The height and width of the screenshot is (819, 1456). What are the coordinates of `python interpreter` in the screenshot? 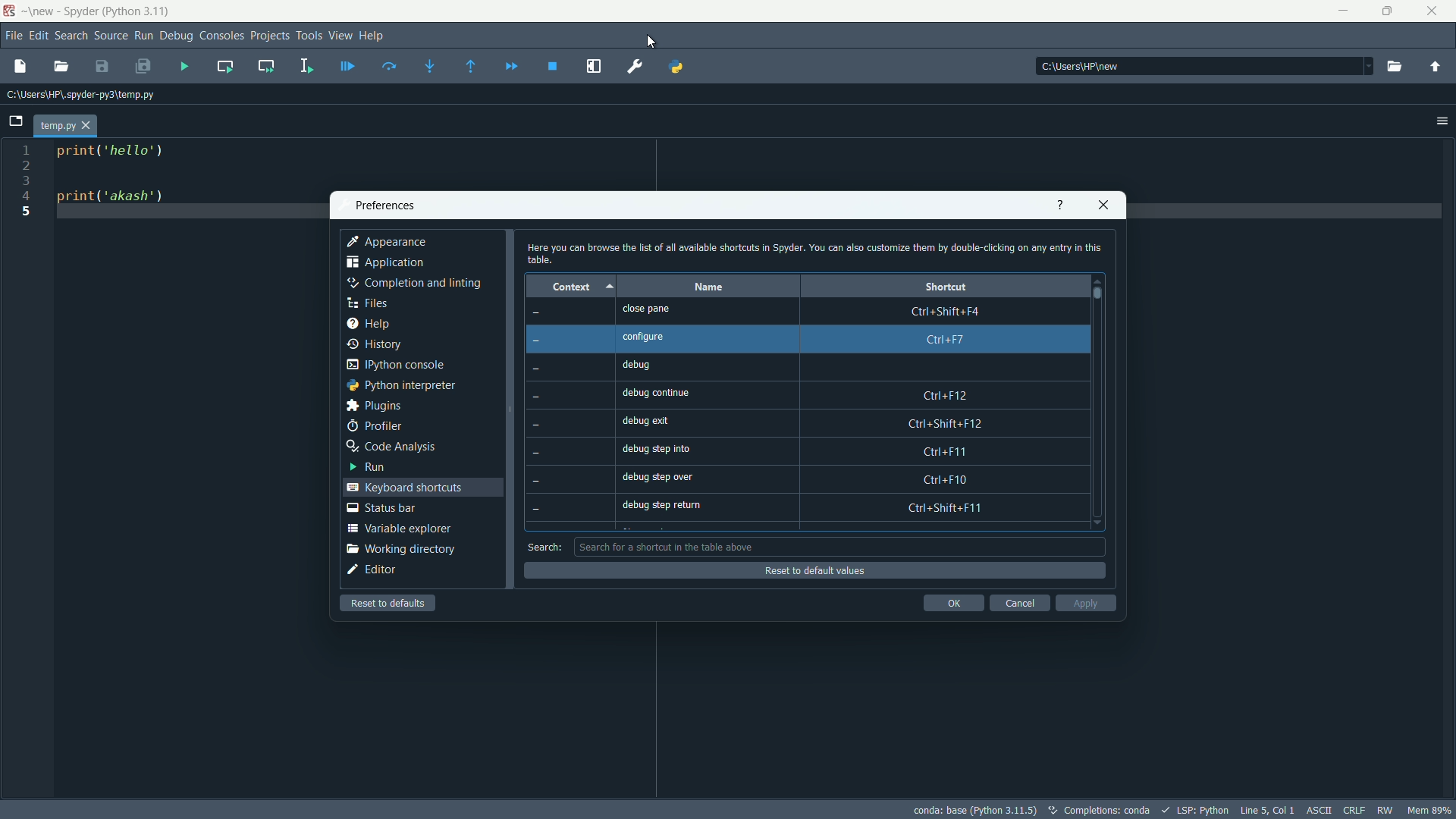 It's located at (400, 385).